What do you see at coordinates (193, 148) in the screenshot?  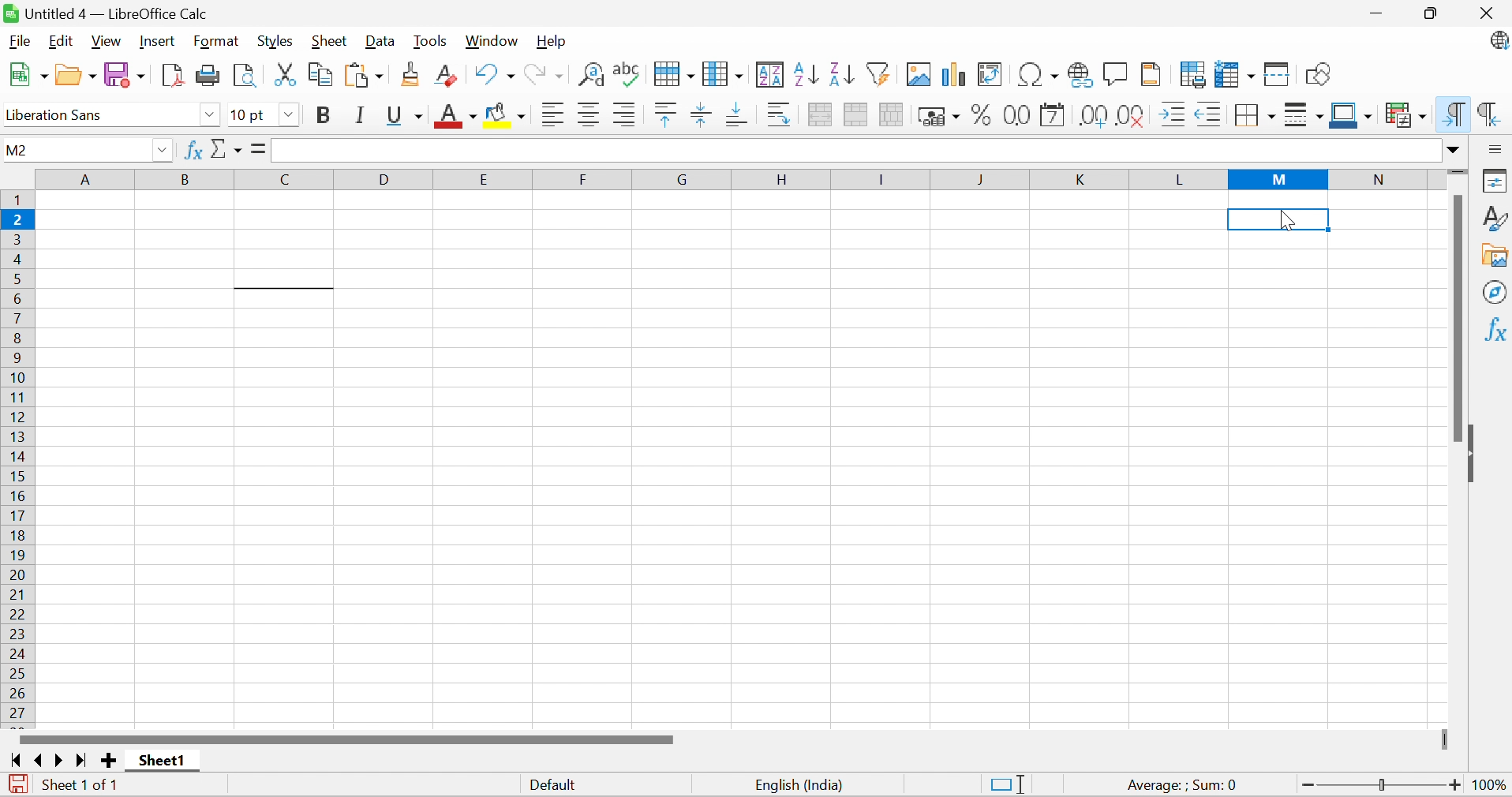 I see `Function wizard` at bounding box center [193, 148].